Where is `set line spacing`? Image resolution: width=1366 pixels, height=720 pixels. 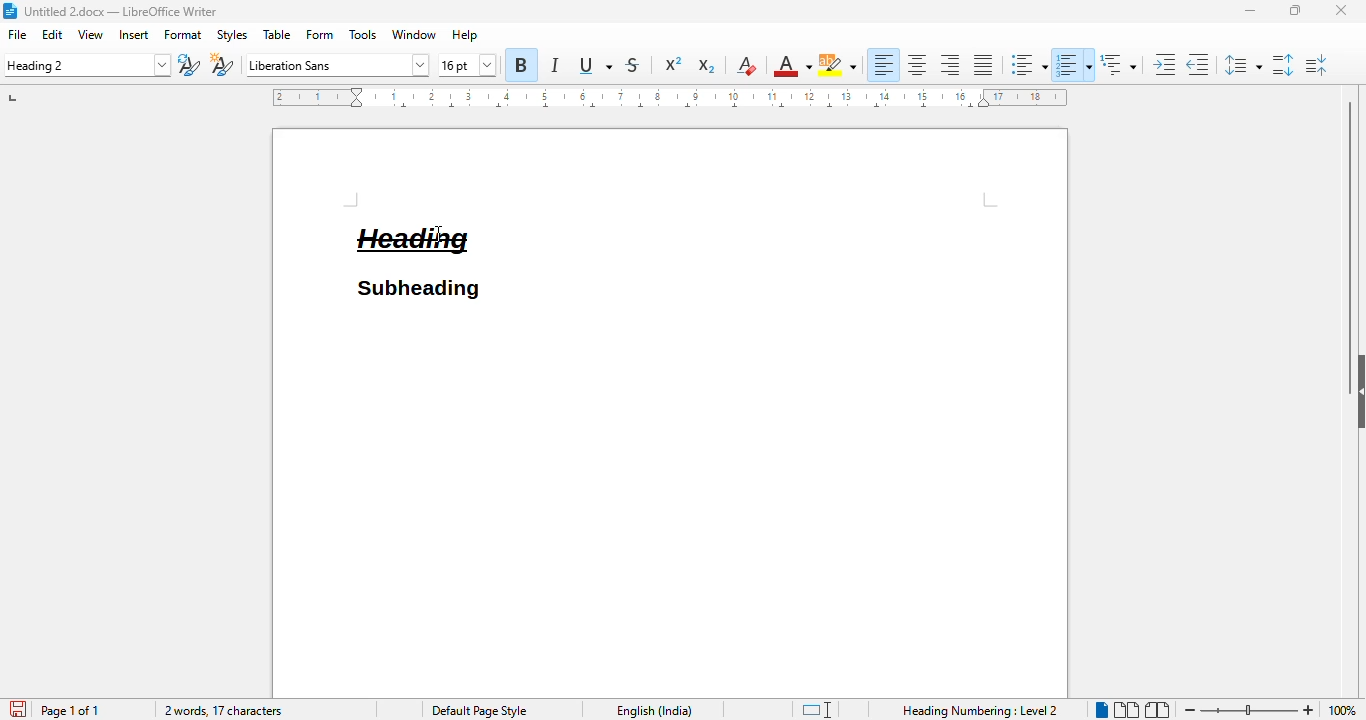 set line spacing is located at coordinates (1240, 65).